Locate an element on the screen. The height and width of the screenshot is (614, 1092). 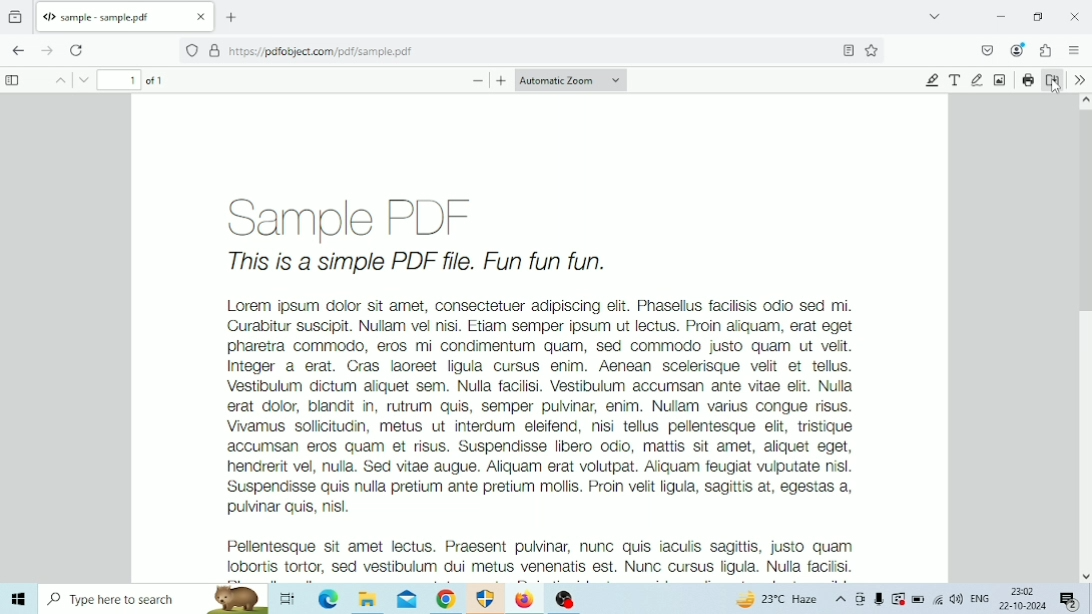
Notifications is located at coordinates (1070, 601).